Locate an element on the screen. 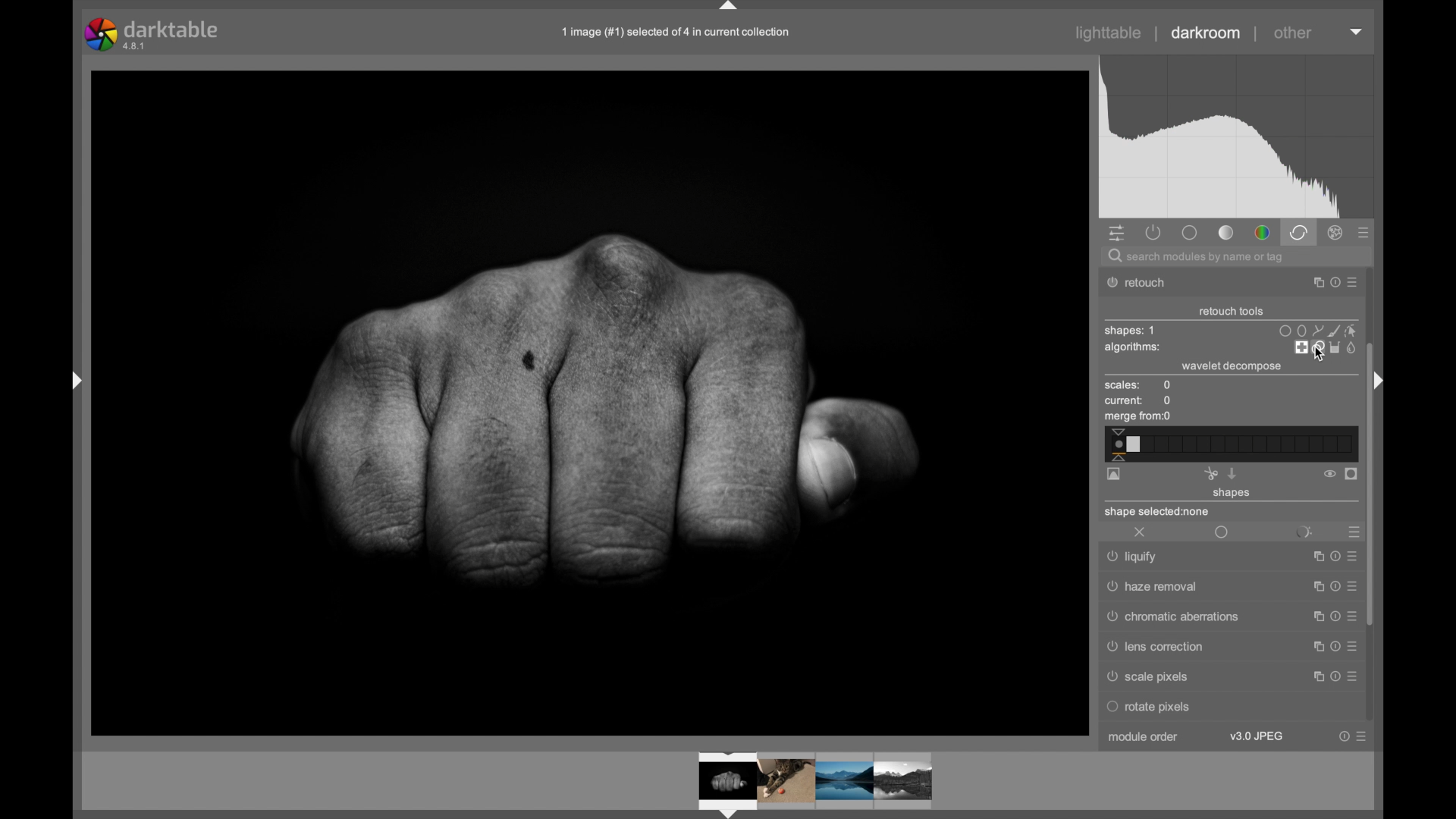 The height and width of the screenshot is (819, 1456). off is located at coordinates (1141, 533).